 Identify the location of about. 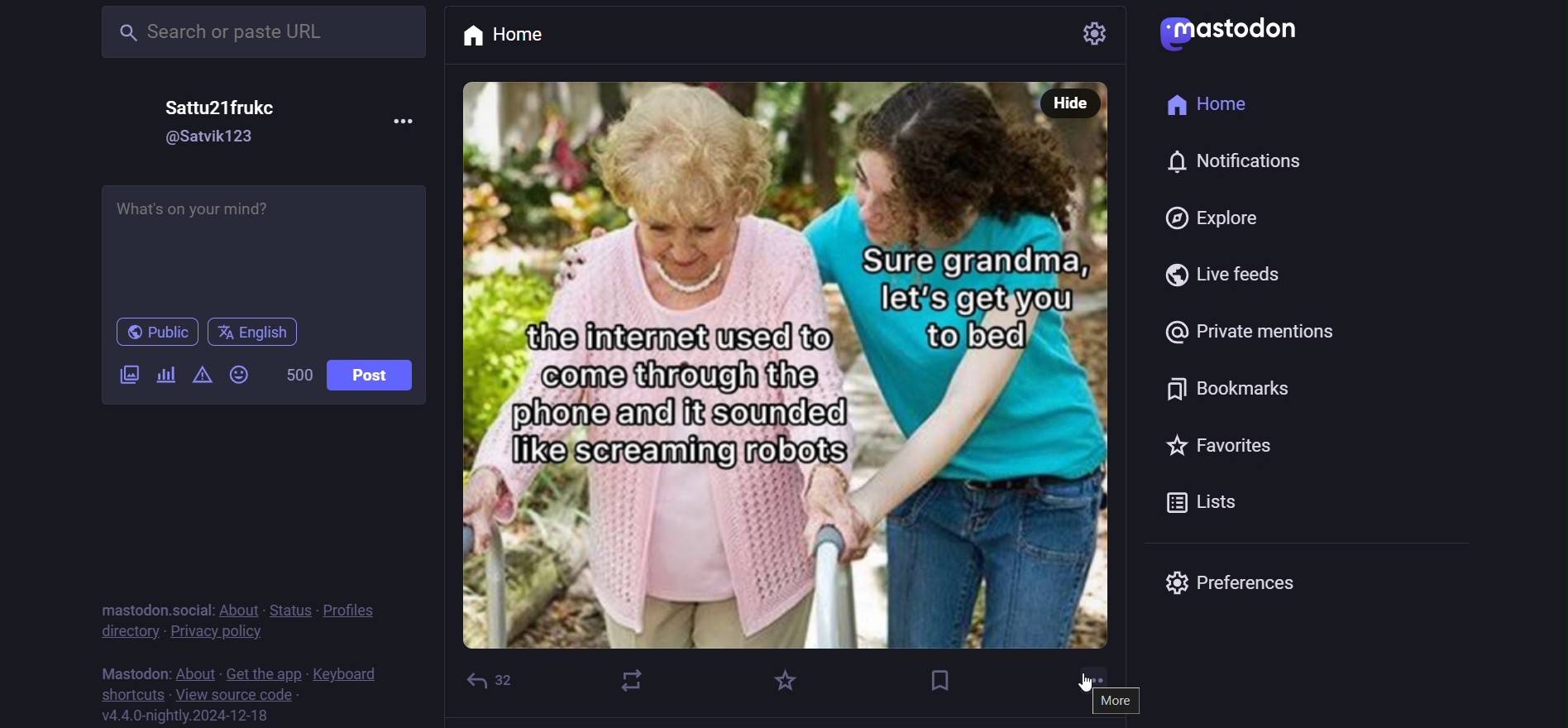
(197, 673).